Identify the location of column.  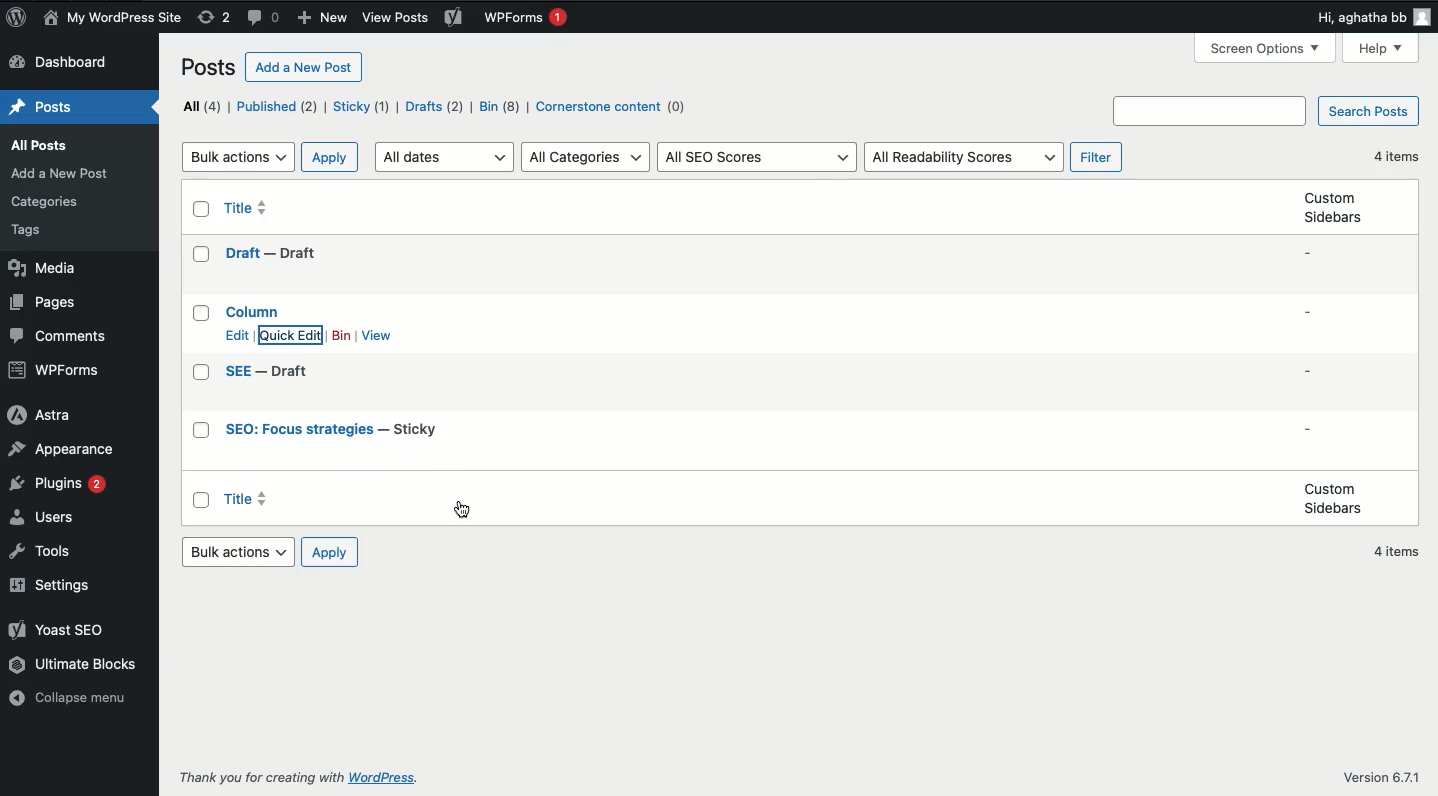
(255, 310).